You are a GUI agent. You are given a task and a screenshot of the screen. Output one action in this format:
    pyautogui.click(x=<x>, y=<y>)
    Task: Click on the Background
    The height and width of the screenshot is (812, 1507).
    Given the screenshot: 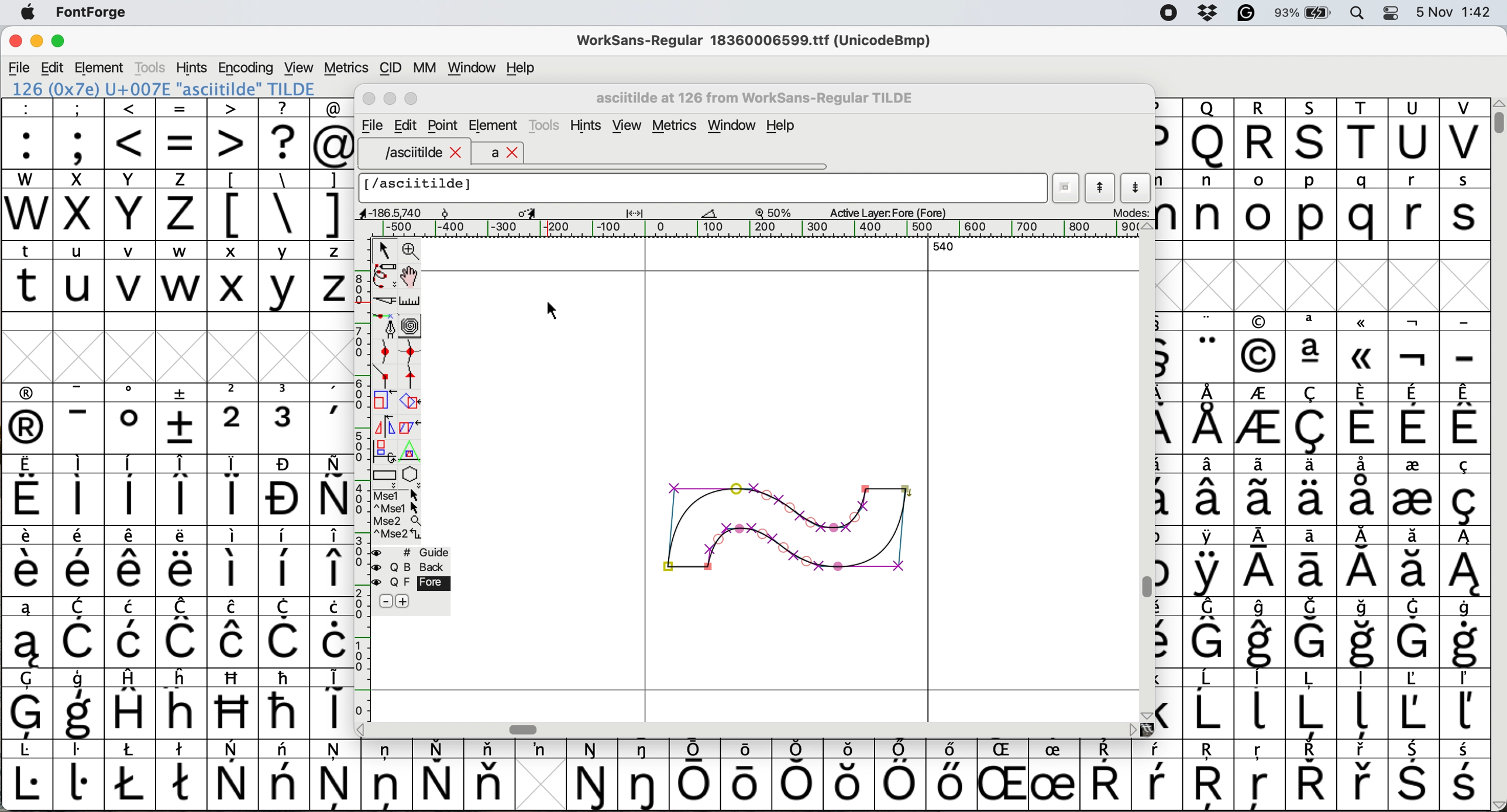 What is the action you would take?
    pyautogui.click(x=424, y=567)
    